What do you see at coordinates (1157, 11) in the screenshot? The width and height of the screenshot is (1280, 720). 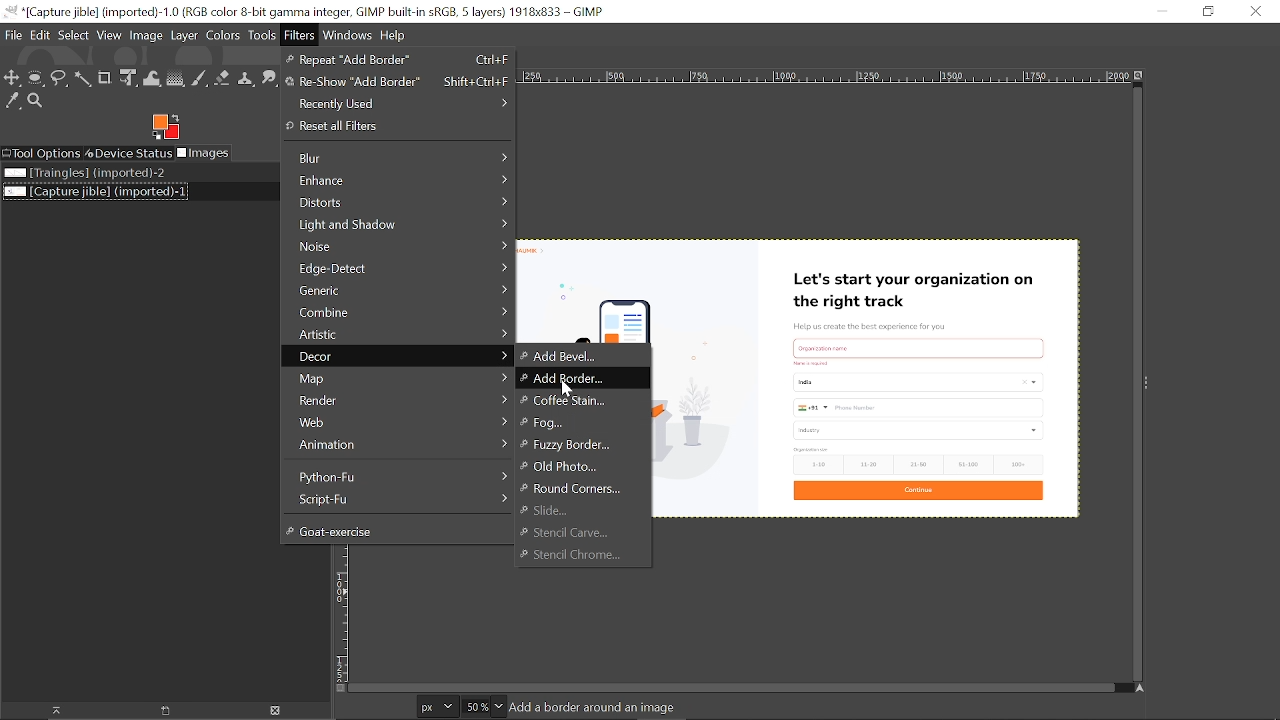 I see `Minimize` at bounding box center [1157, 11].